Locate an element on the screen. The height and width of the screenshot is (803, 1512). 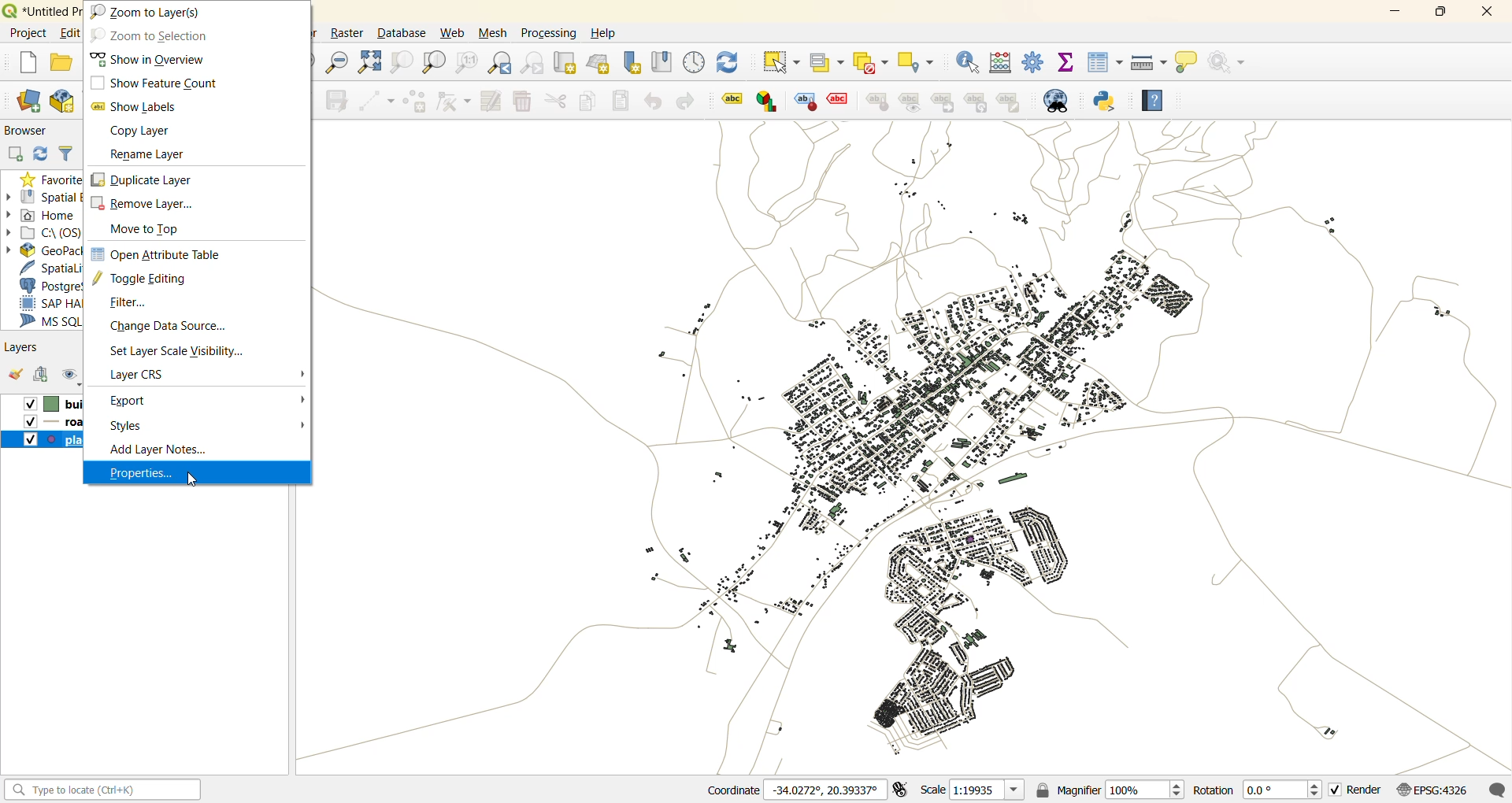
render is located at coordinates (1355, 790).